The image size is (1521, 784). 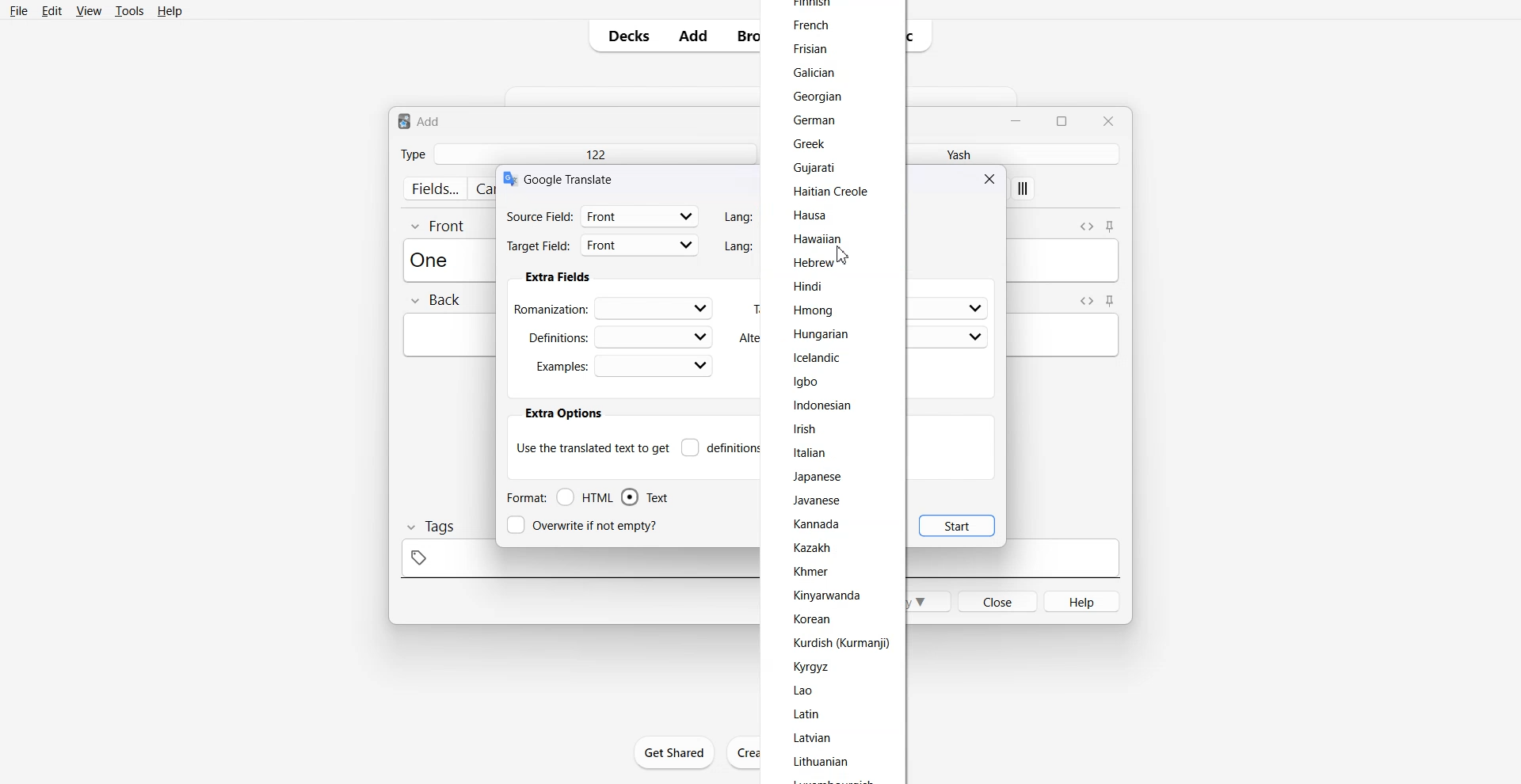 I want to click on Front, so click(x=439, y=225).